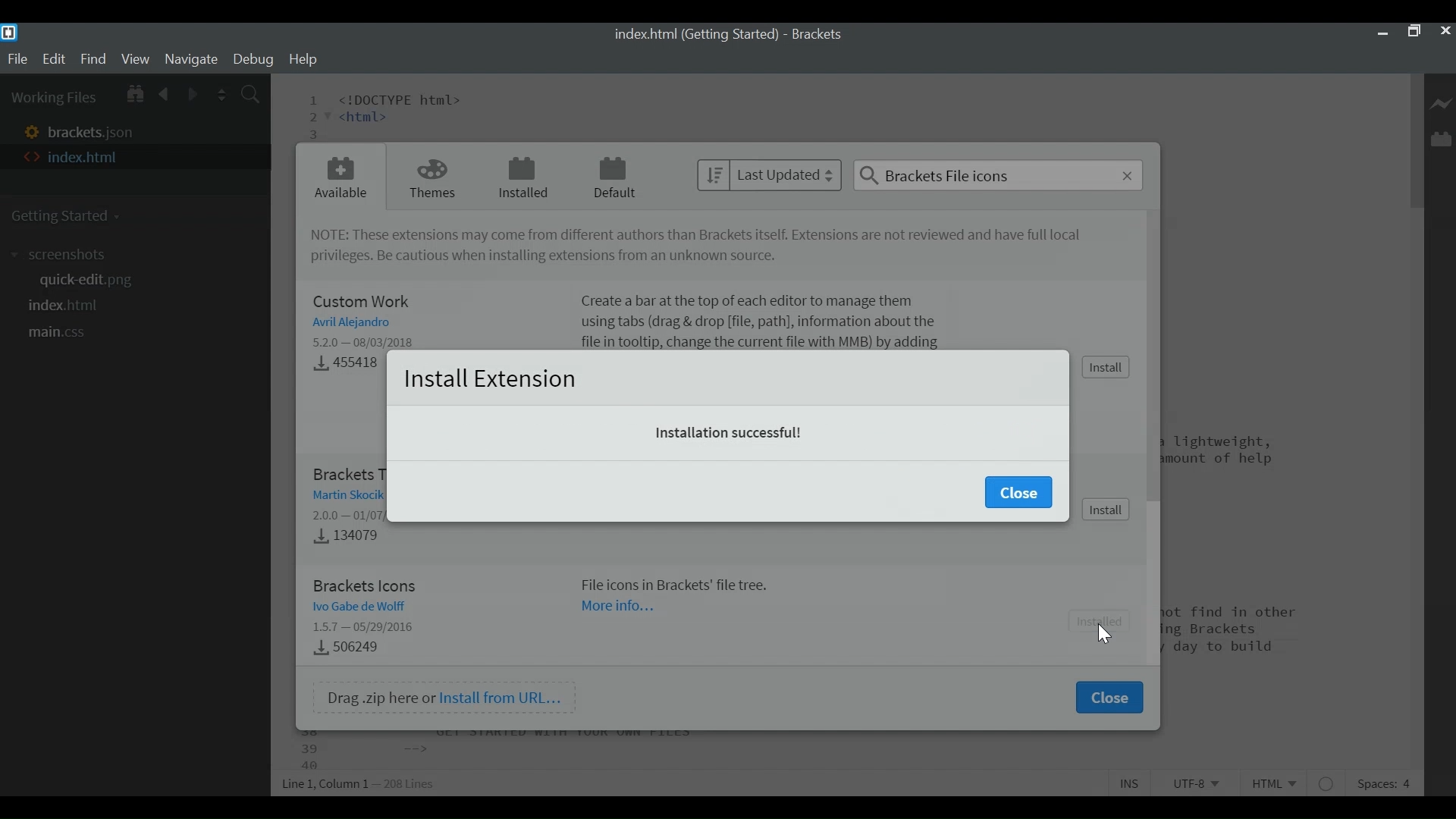  I want to click on Install Extension, so click(489, 378).